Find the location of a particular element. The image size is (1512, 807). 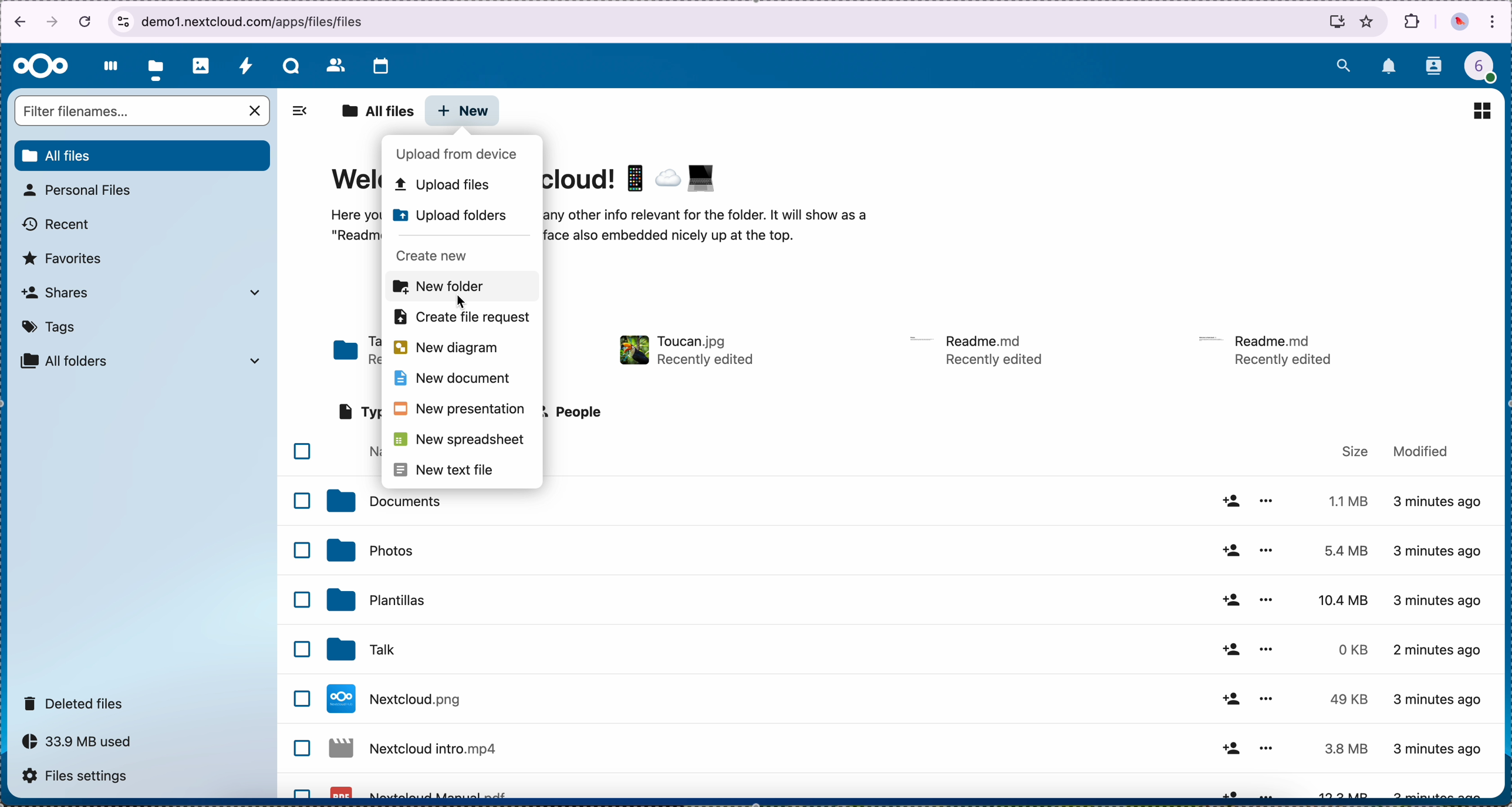

click on new folder is located at coordinates (460, 288).